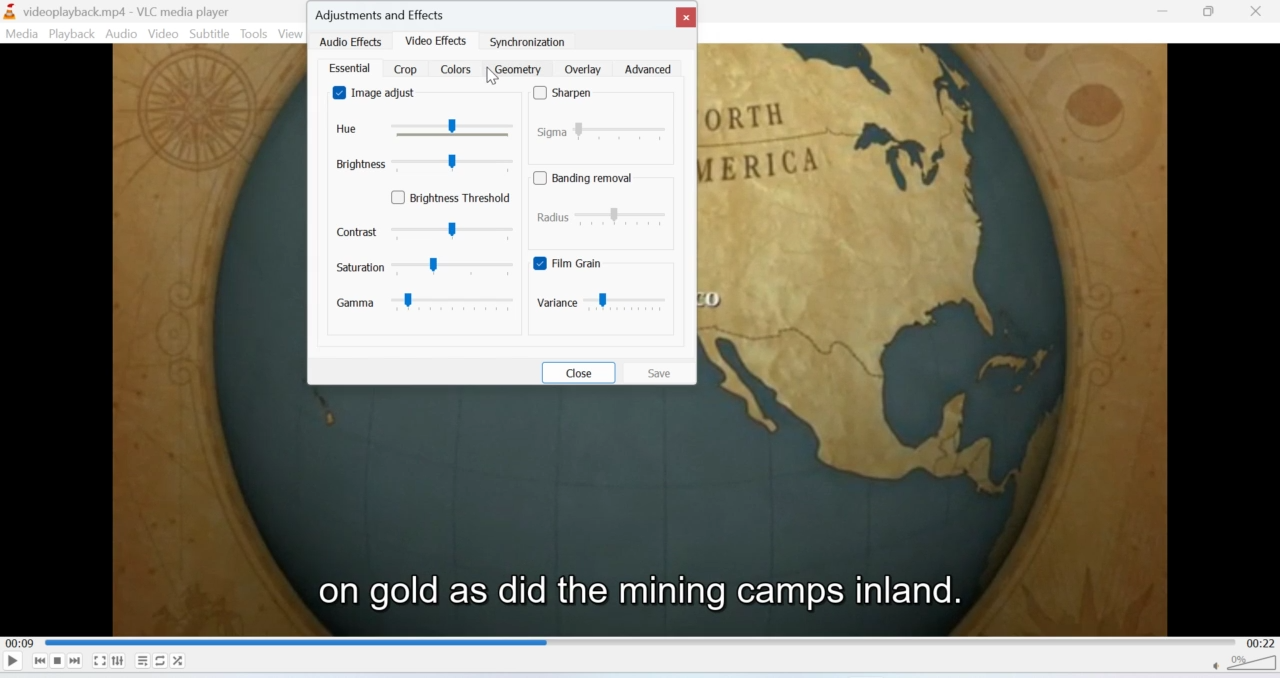 Image resolution: width=1280 pixels, height=678 pixels. Describe the element at coordinates (1208, 11) in the screenshot. I see `Minimise` at that location.